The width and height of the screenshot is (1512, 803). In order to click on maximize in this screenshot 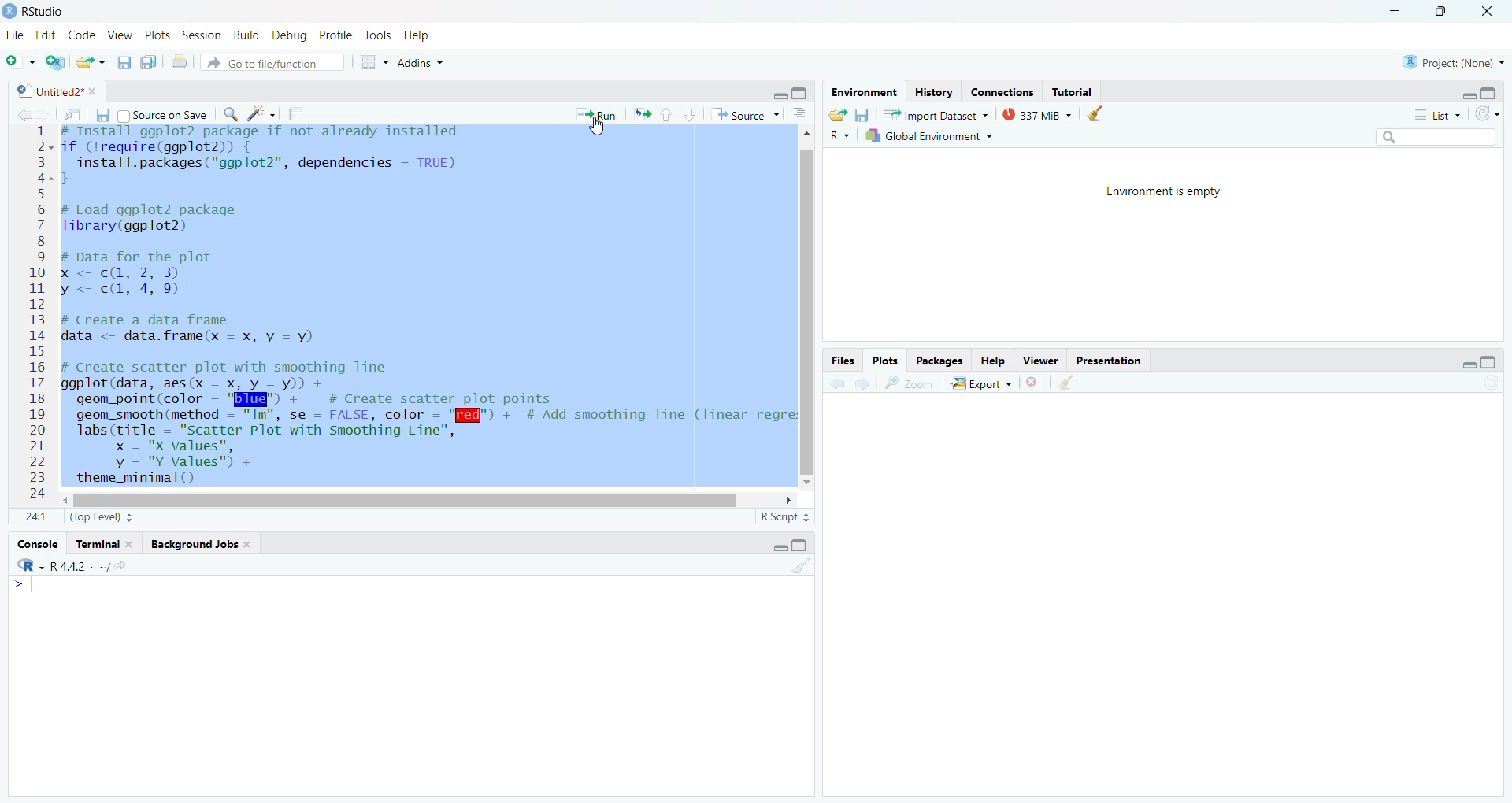, I will do `click(1442, 11)`.